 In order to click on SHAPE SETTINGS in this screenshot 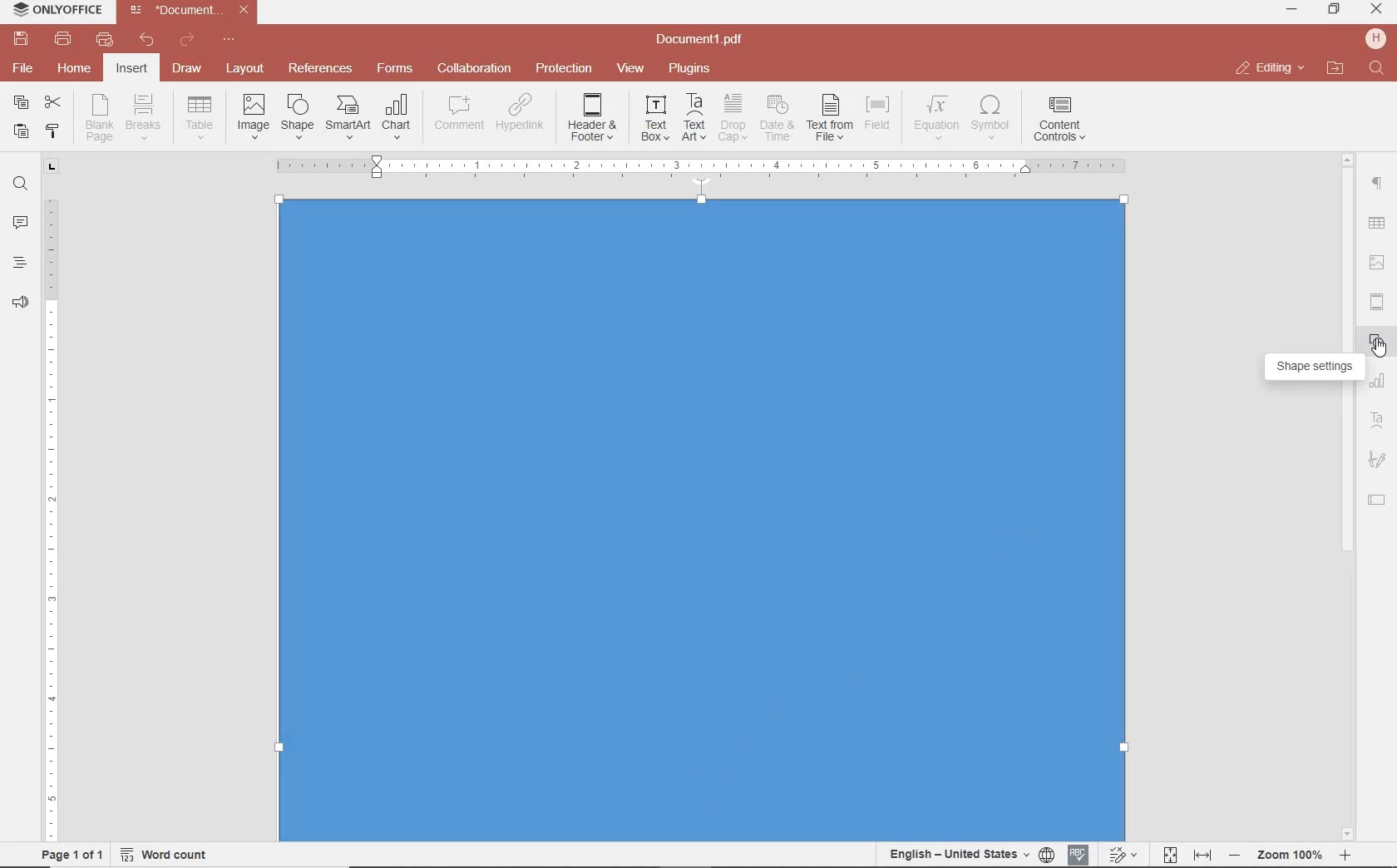, I will do `click(1311, 369)`.